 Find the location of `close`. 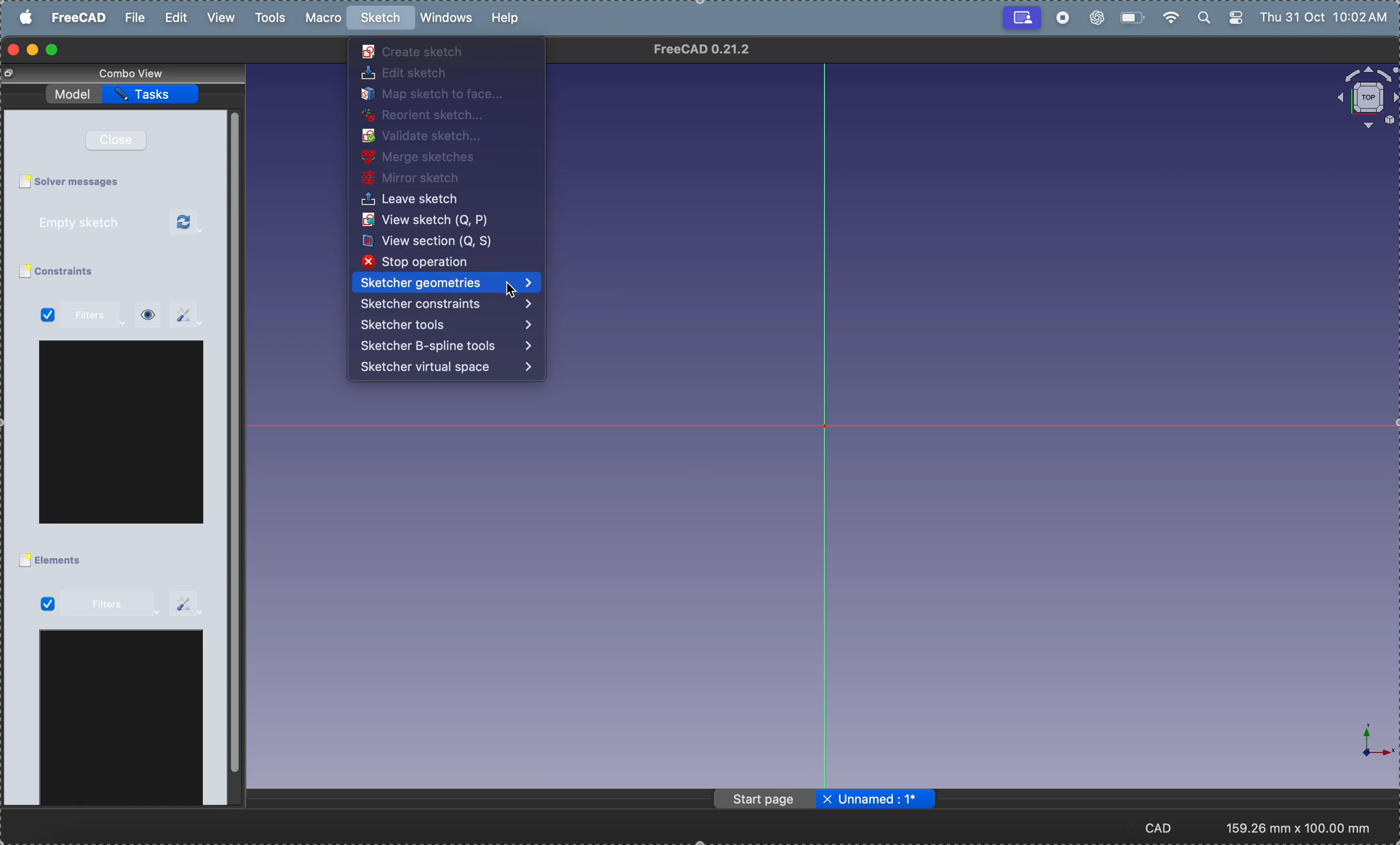

close is located at coordinates (122, 140).